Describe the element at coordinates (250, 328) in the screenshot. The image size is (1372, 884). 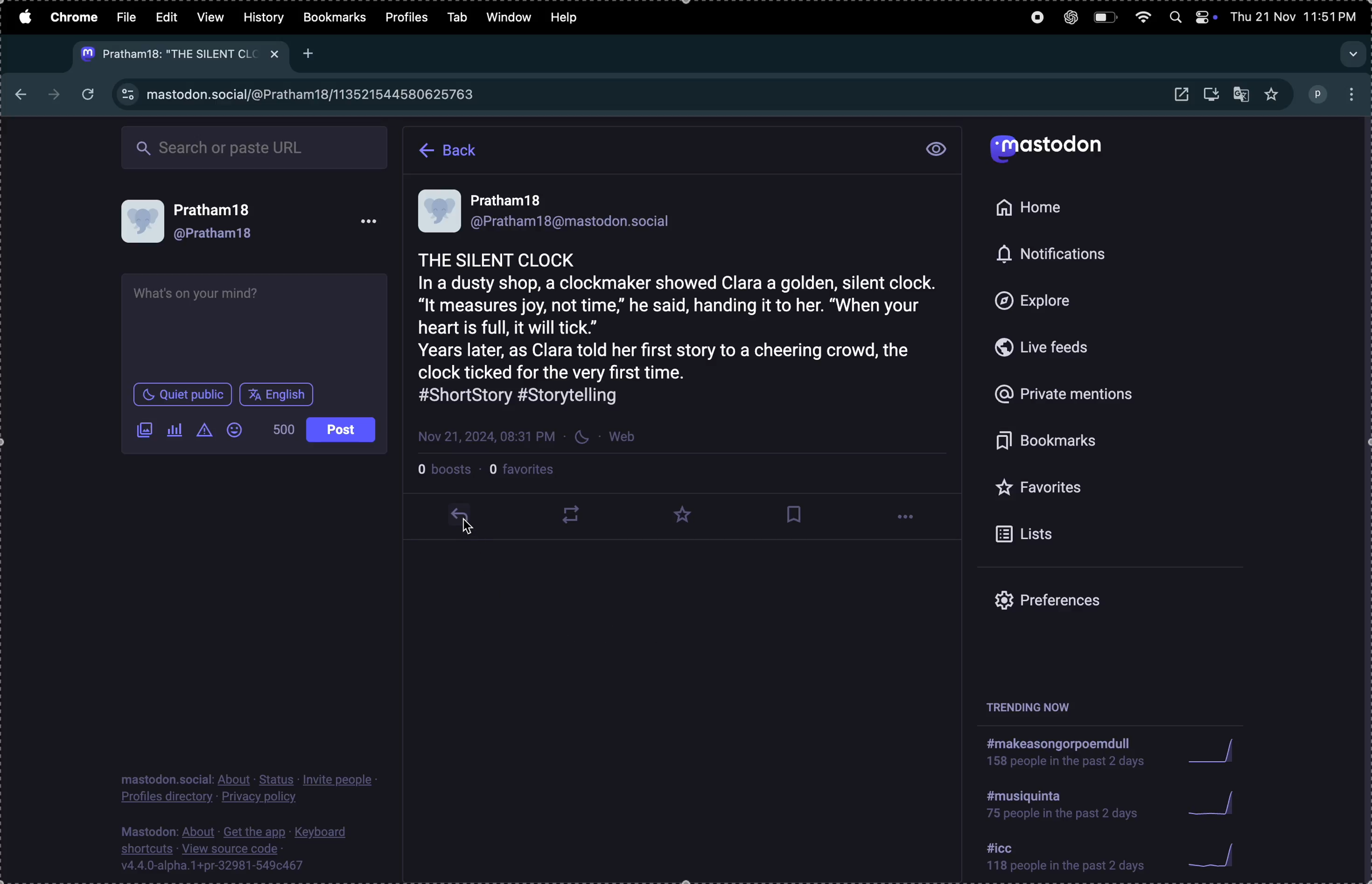
I see `textbox` at that location.